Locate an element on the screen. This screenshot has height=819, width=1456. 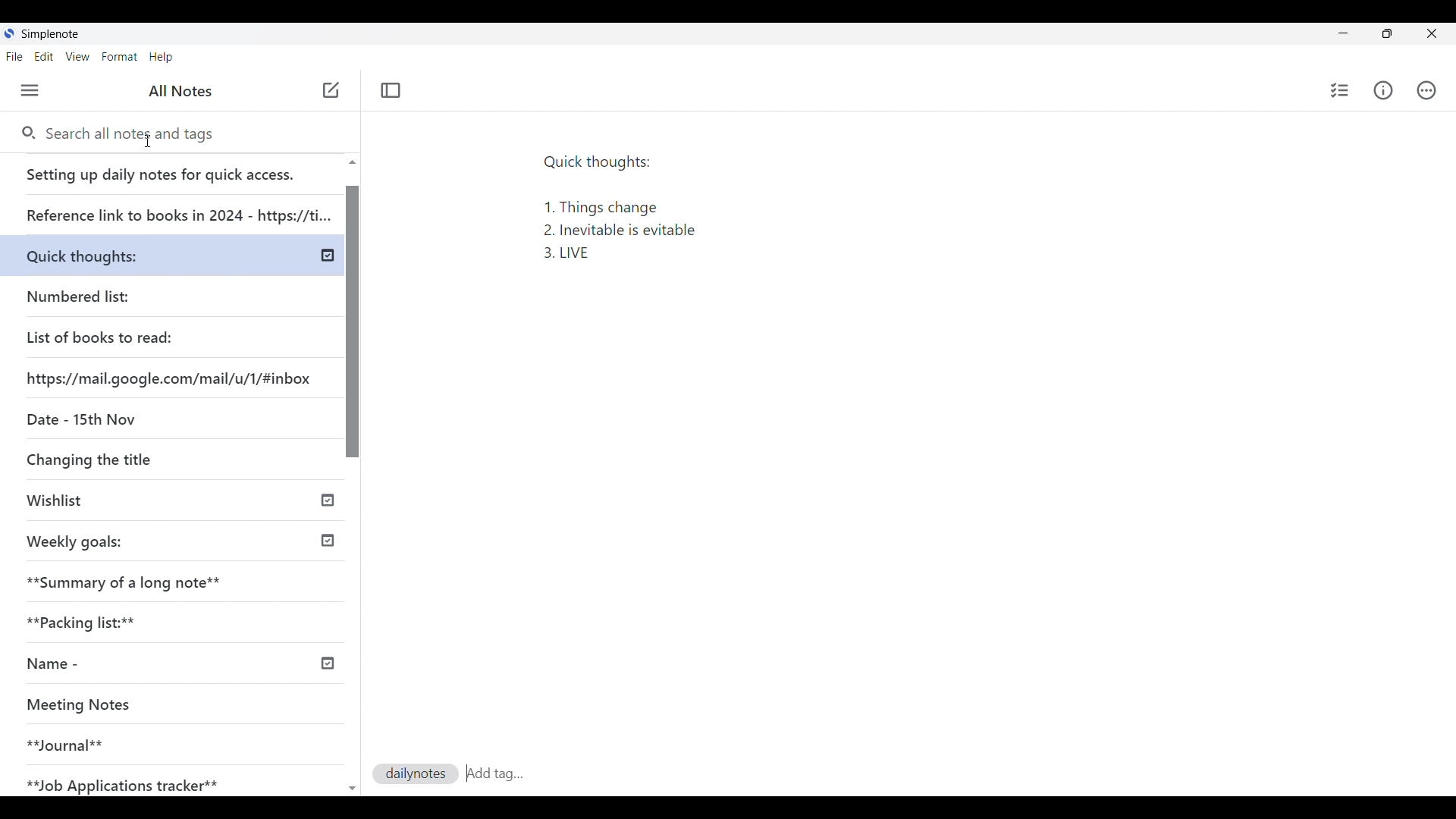
Software logo is located at coordinates (10, 33).